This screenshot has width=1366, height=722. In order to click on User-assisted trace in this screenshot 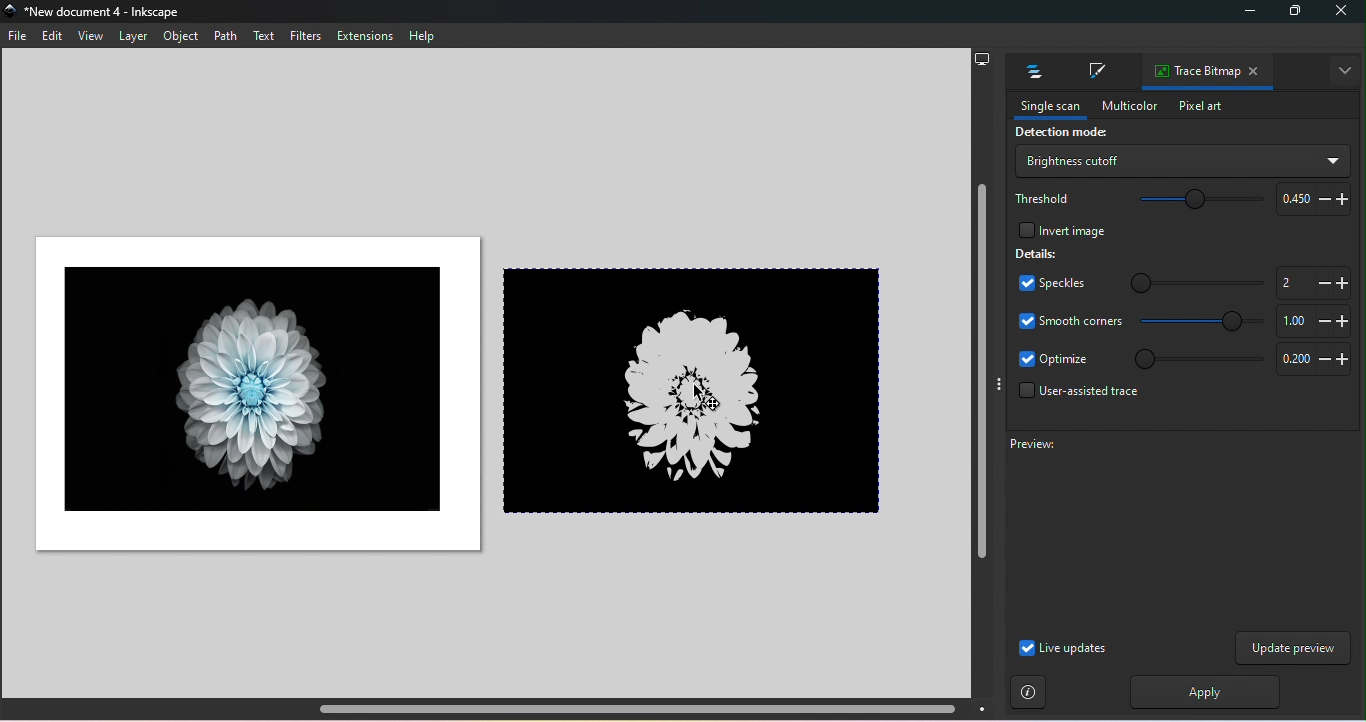, I will do `click(1074, 396)`.